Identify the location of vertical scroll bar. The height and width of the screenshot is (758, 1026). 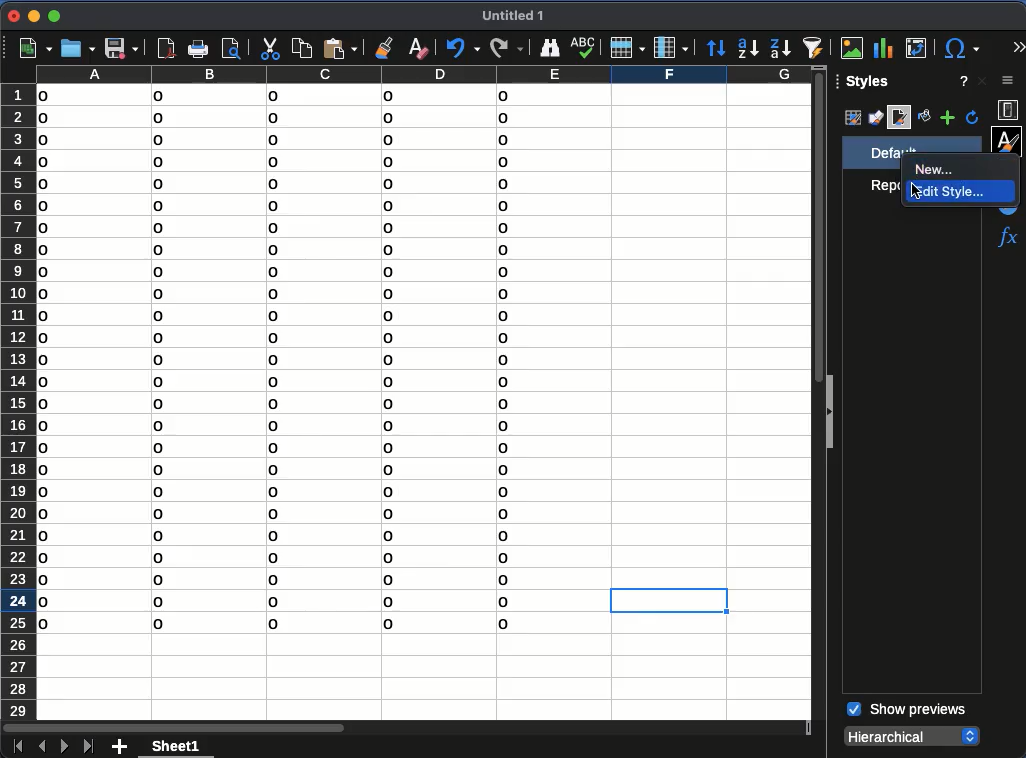
(813, 227).